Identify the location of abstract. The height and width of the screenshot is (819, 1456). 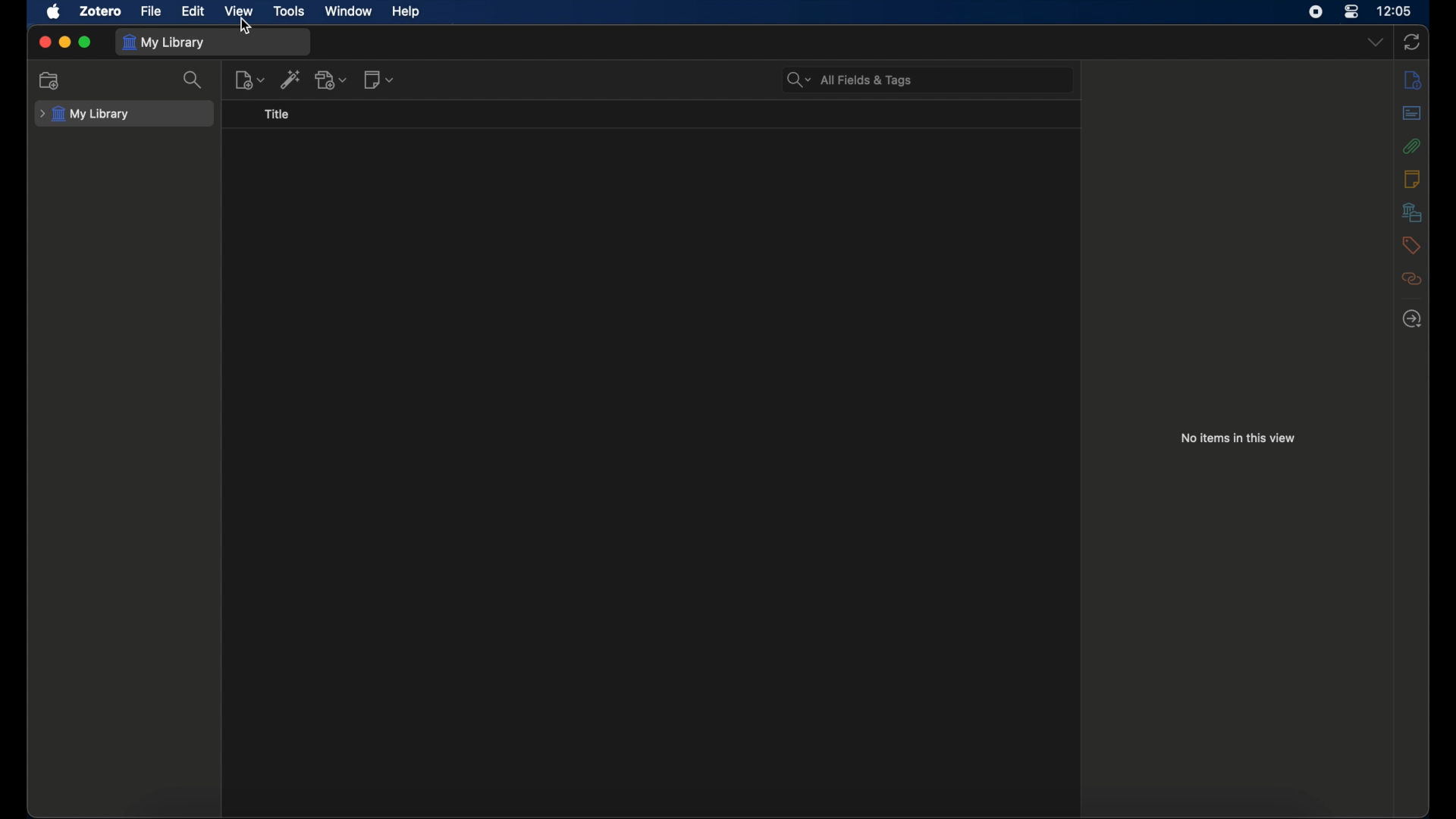
(1411, 112).